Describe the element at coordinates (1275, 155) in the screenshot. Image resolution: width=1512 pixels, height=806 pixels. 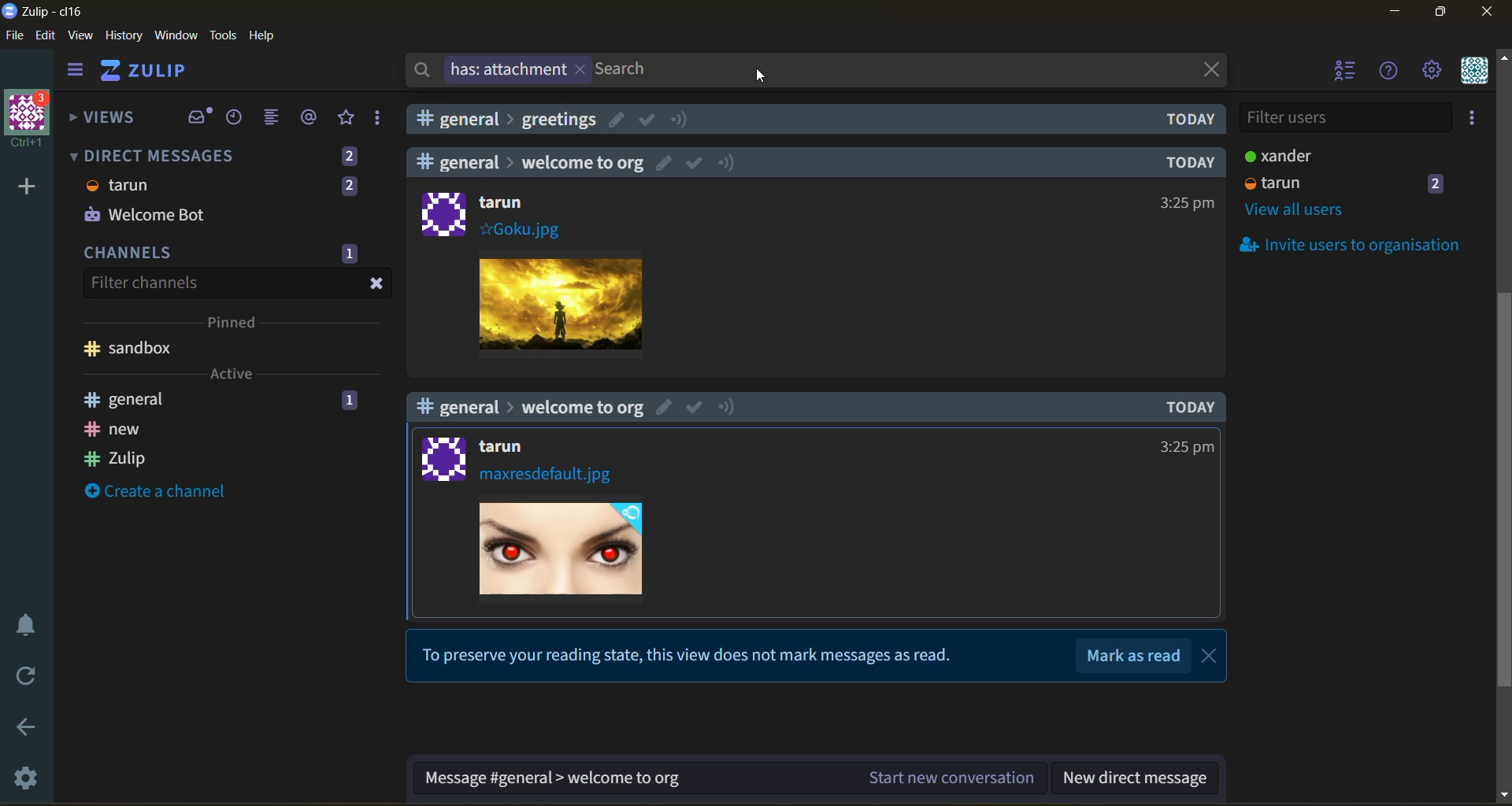
I see `xander` at that location.